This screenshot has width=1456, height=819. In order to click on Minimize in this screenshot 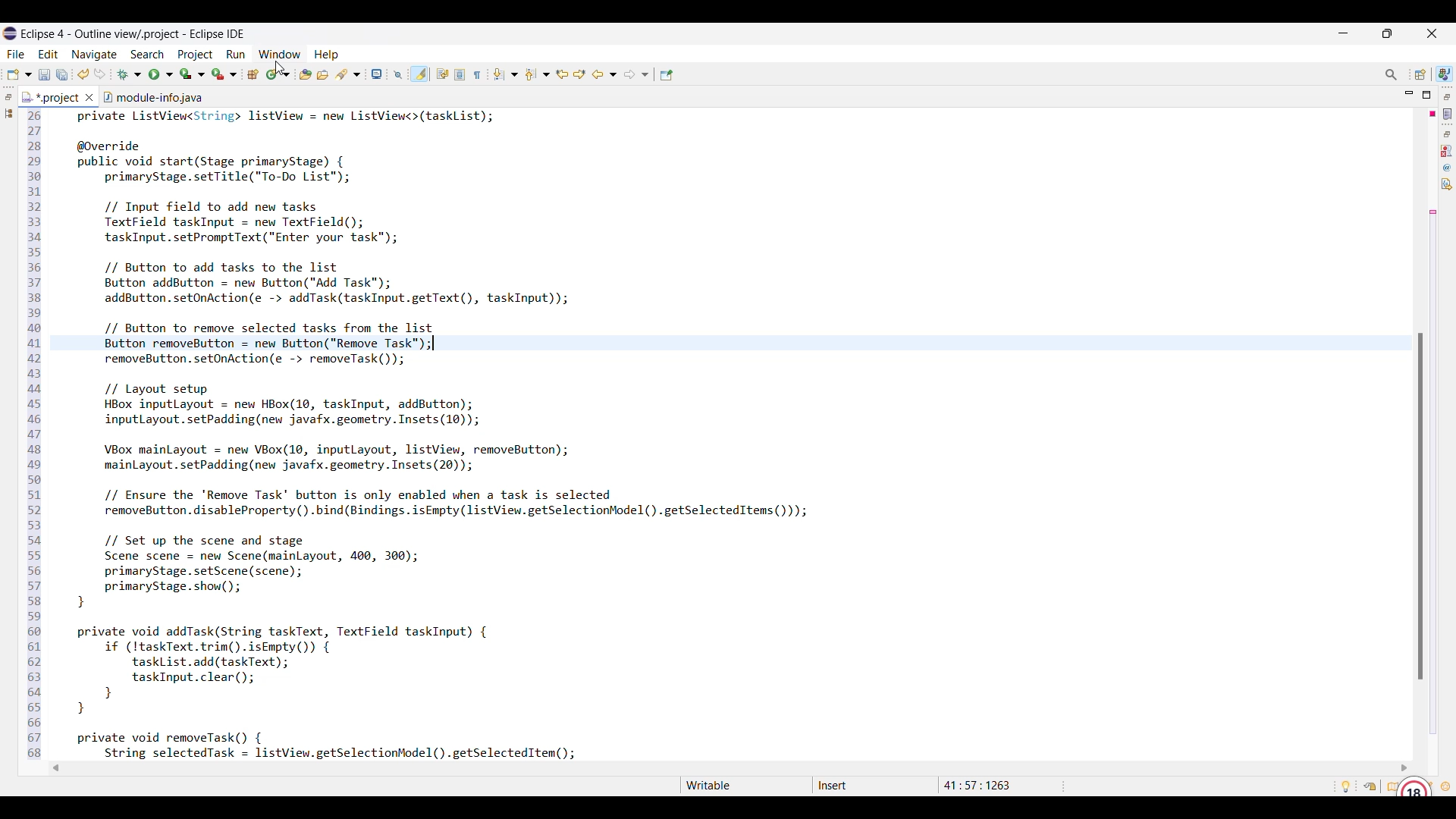, I will do `click(1410, 94)`.